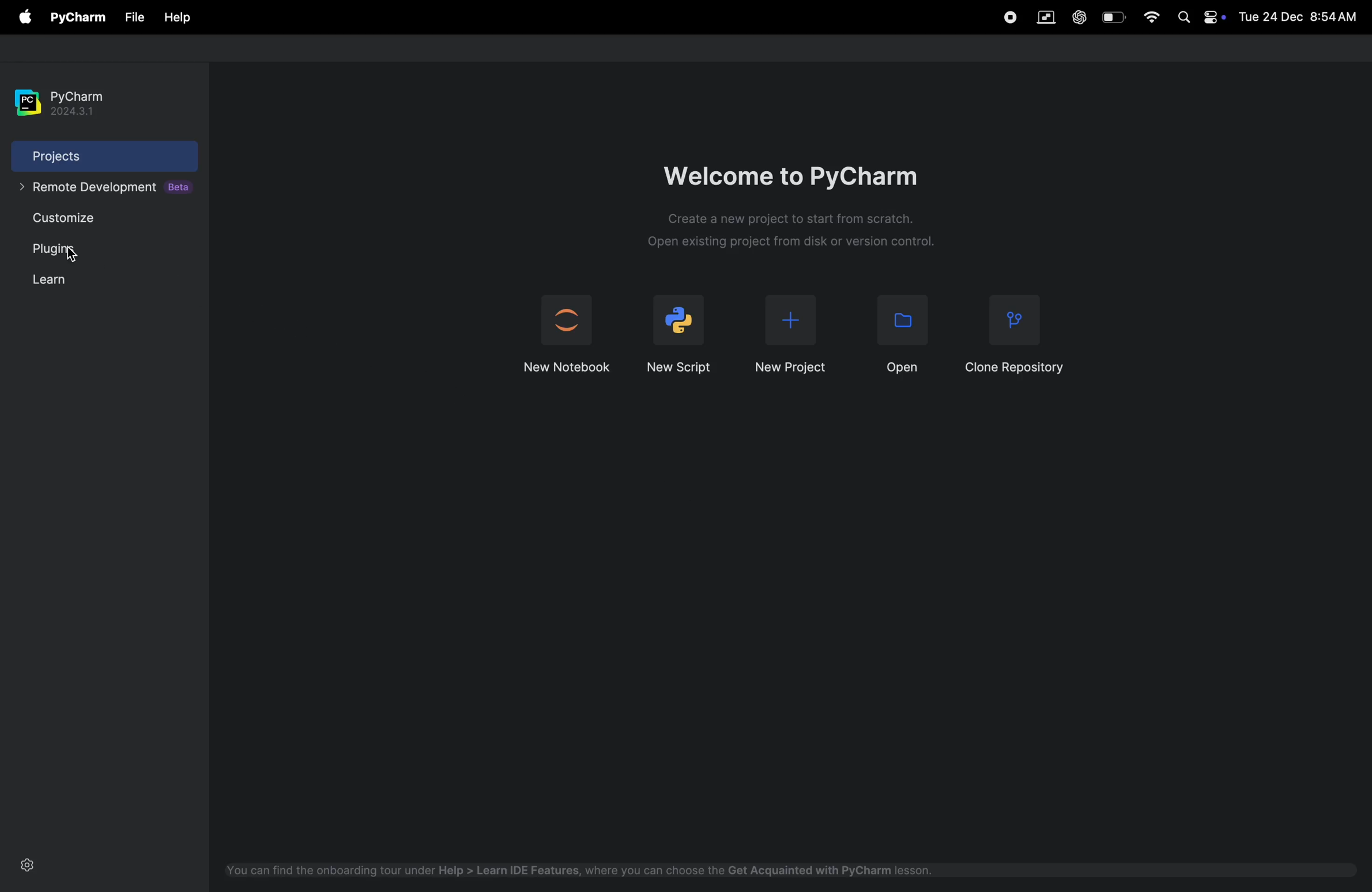  I want to click on parallel space, so click(1043, 16).